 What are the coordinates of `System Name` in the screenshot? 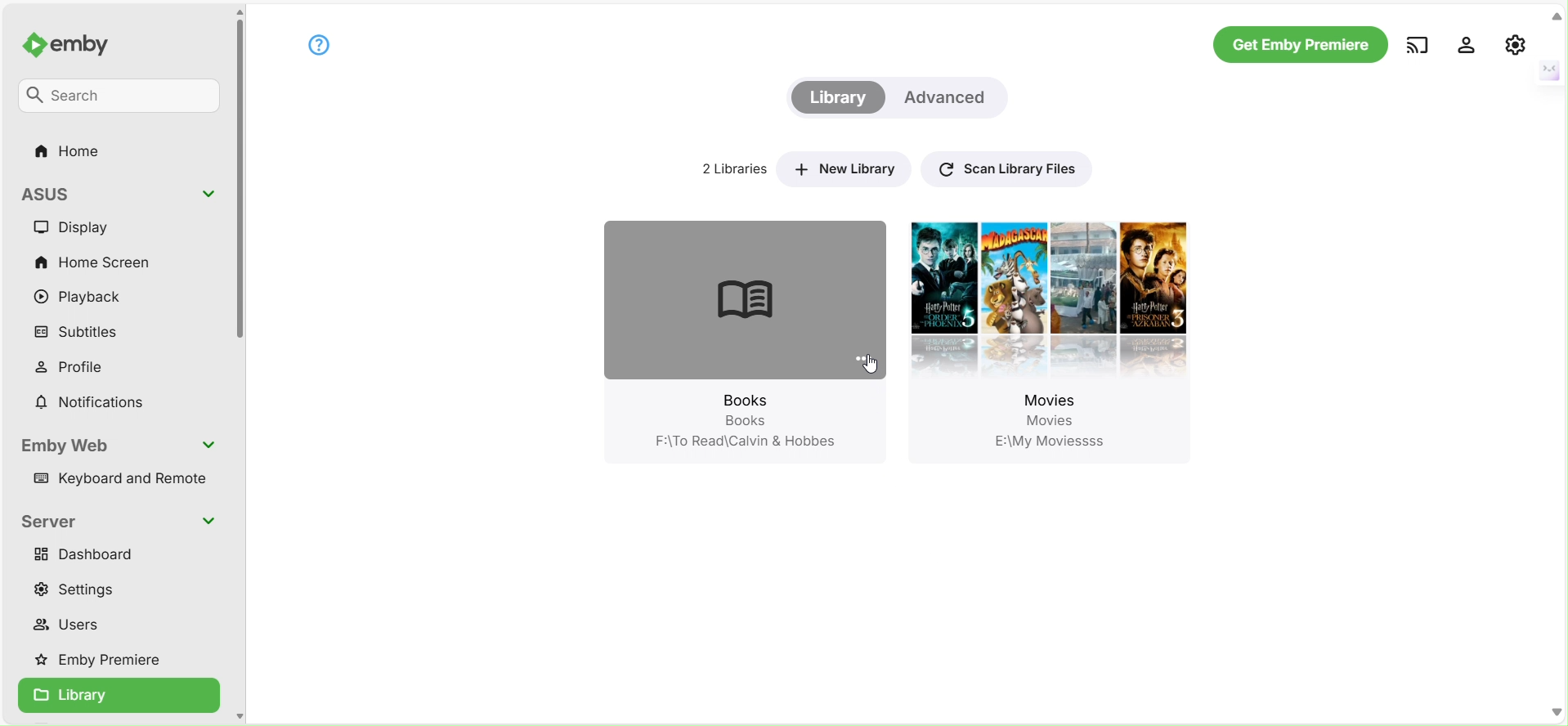 It's located at (60, 192).